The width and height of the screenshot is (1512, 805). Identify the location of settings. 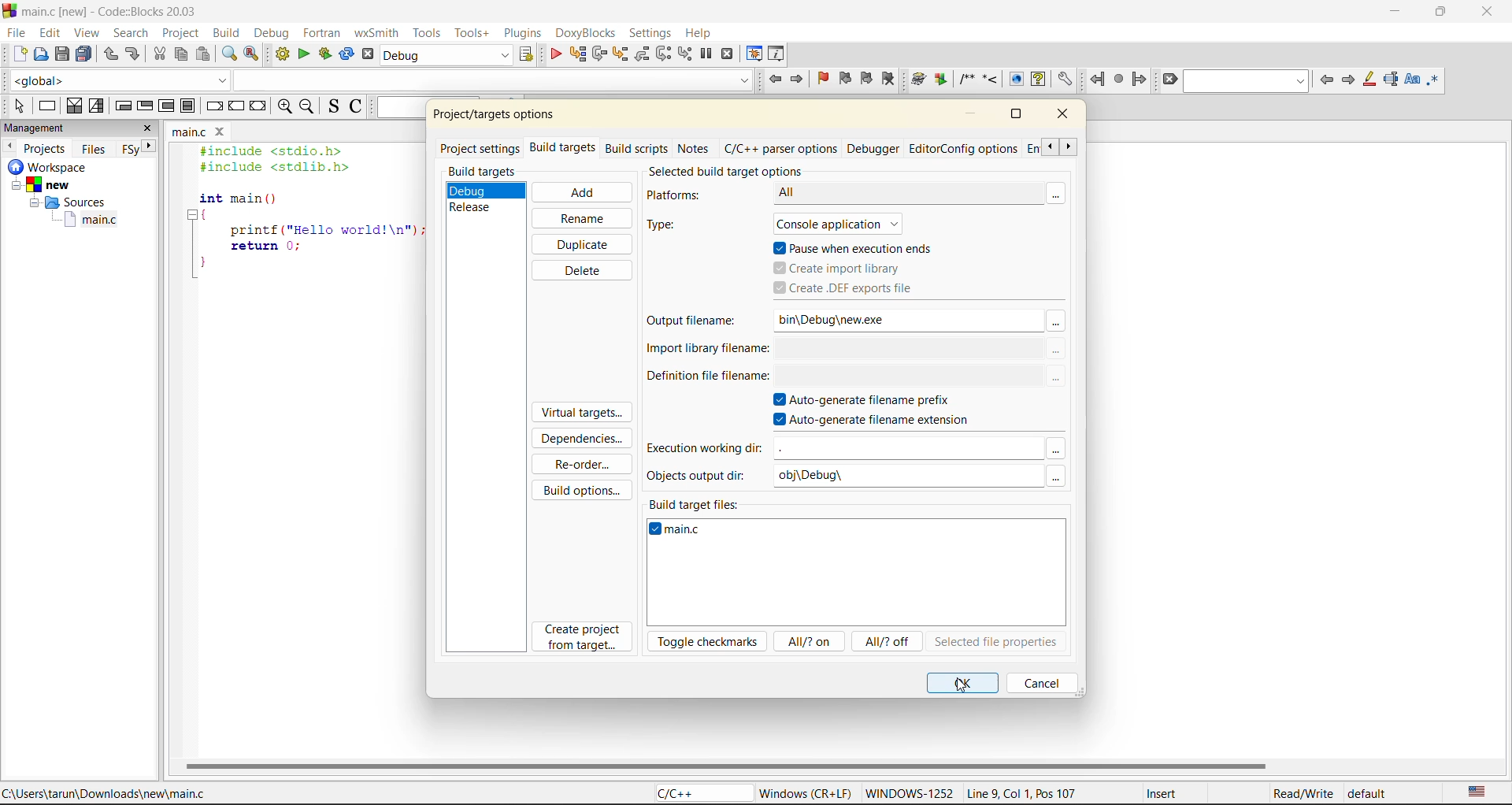
(651, 34).